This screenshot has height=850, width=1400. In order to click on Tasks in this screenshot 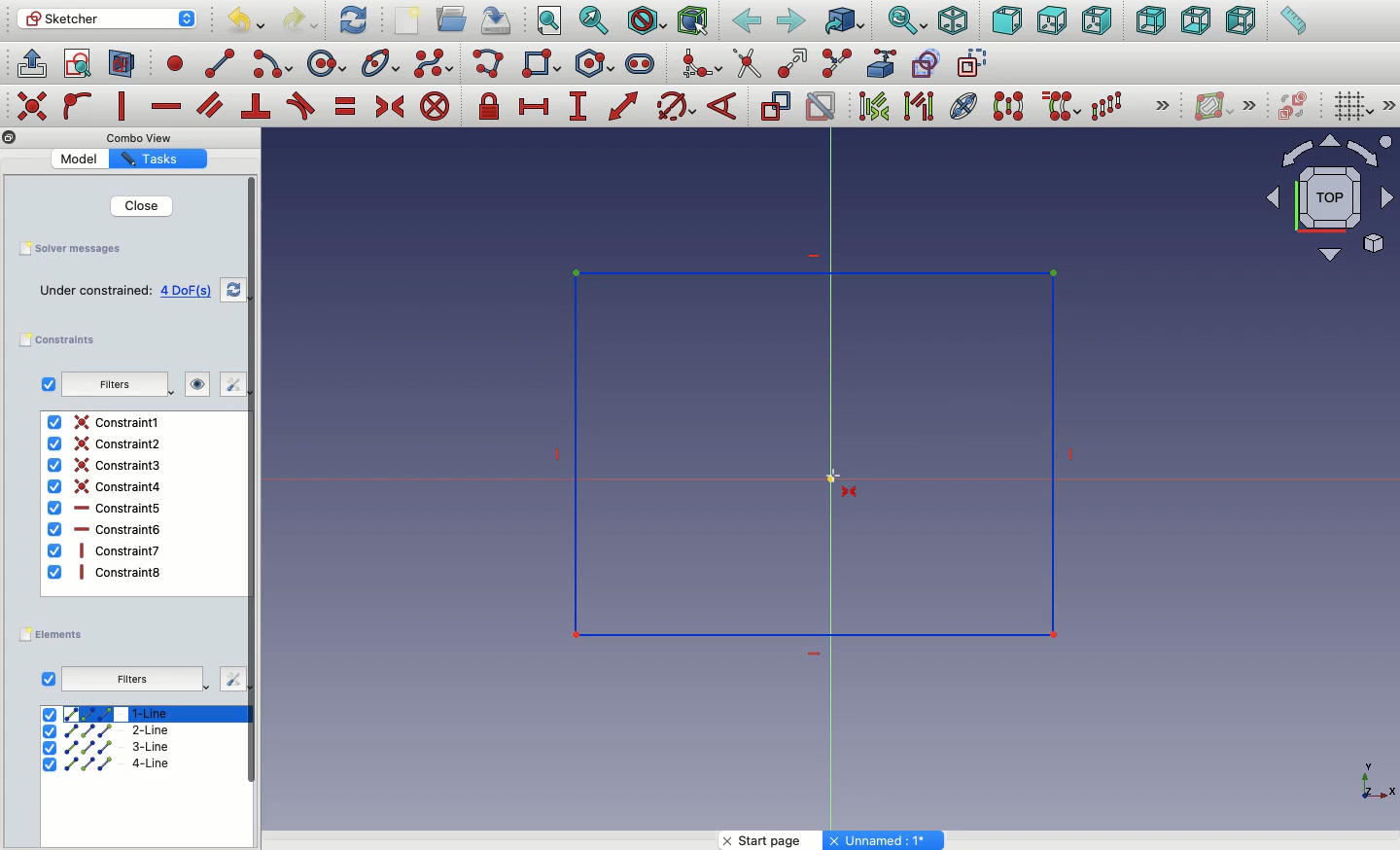, I will do `click(155, 159)`.